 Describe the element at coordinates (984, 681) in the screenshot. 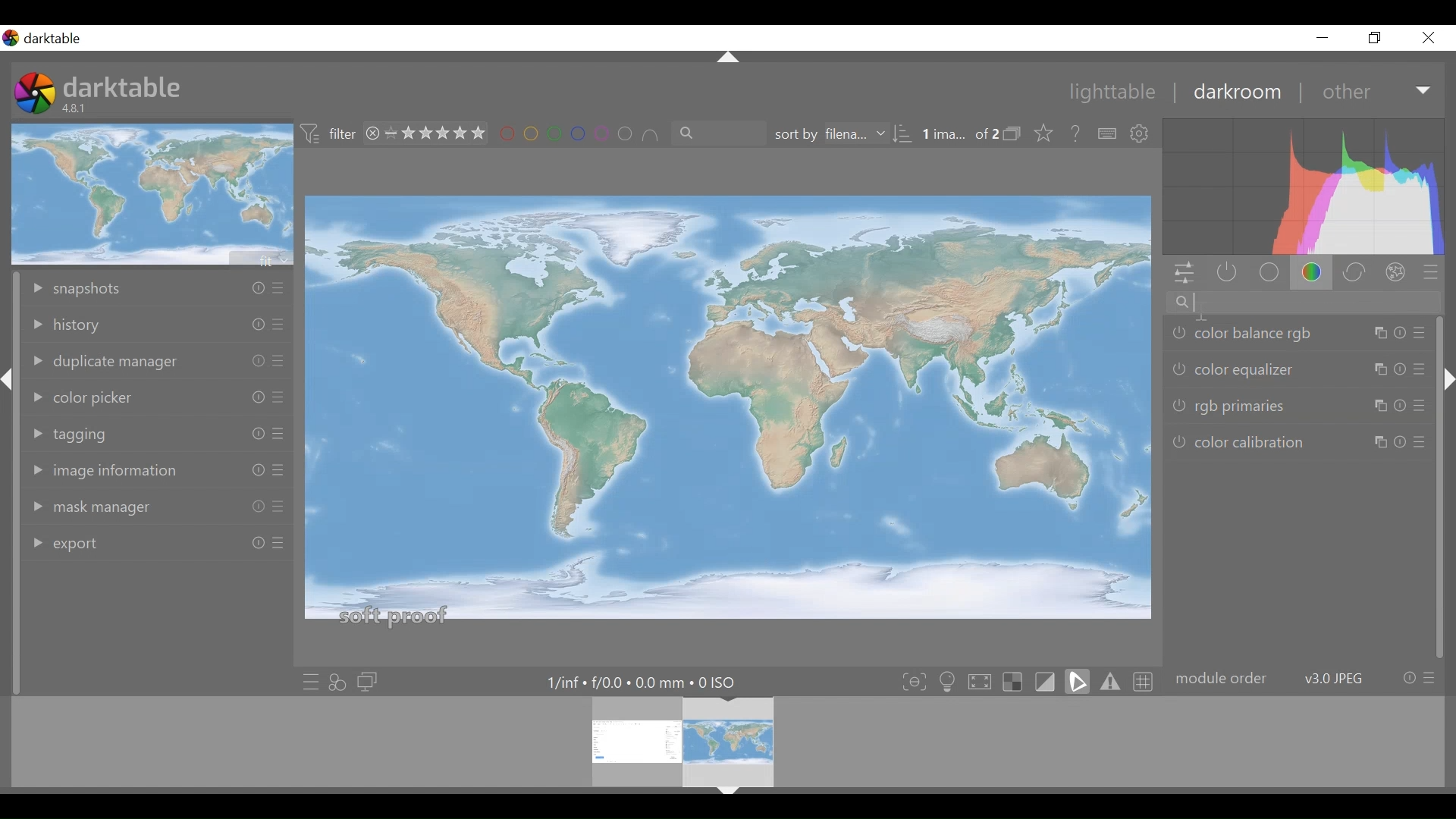

I see `toggle high quality processing` at that location.